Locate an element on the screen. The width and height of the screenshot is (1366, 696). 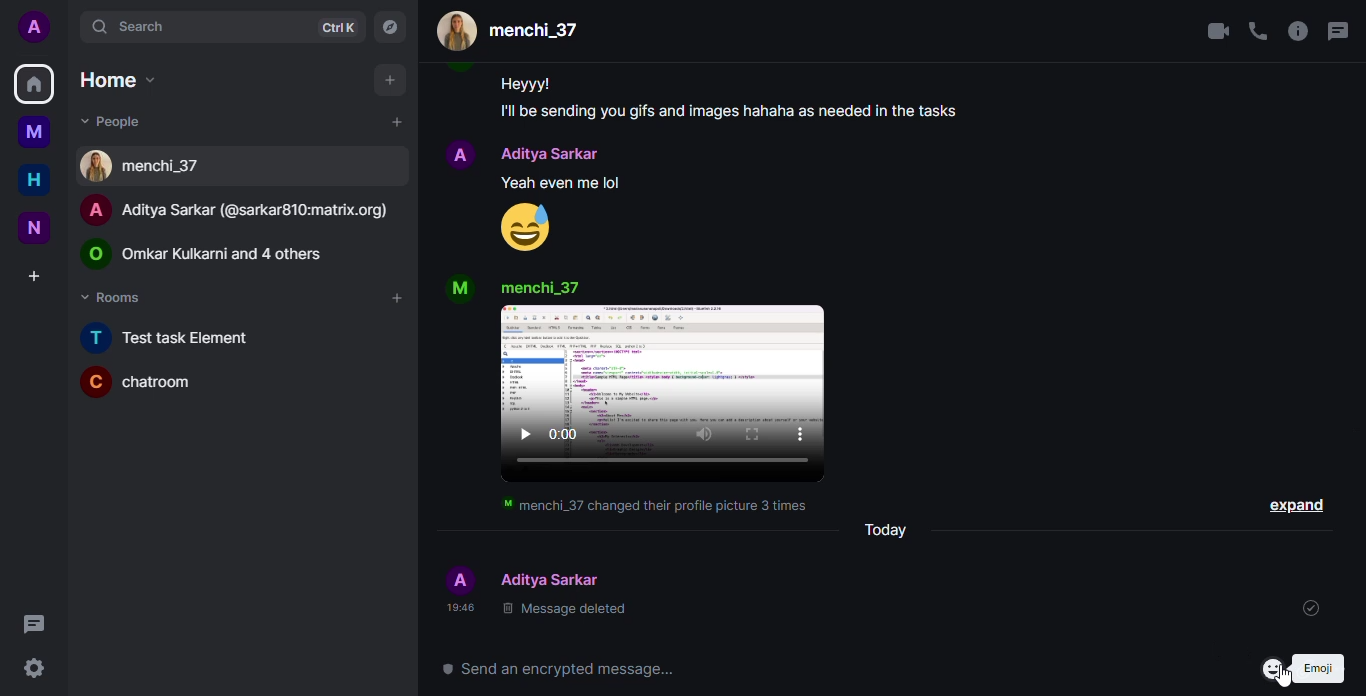
expand is located at coordinates (1295, 507).